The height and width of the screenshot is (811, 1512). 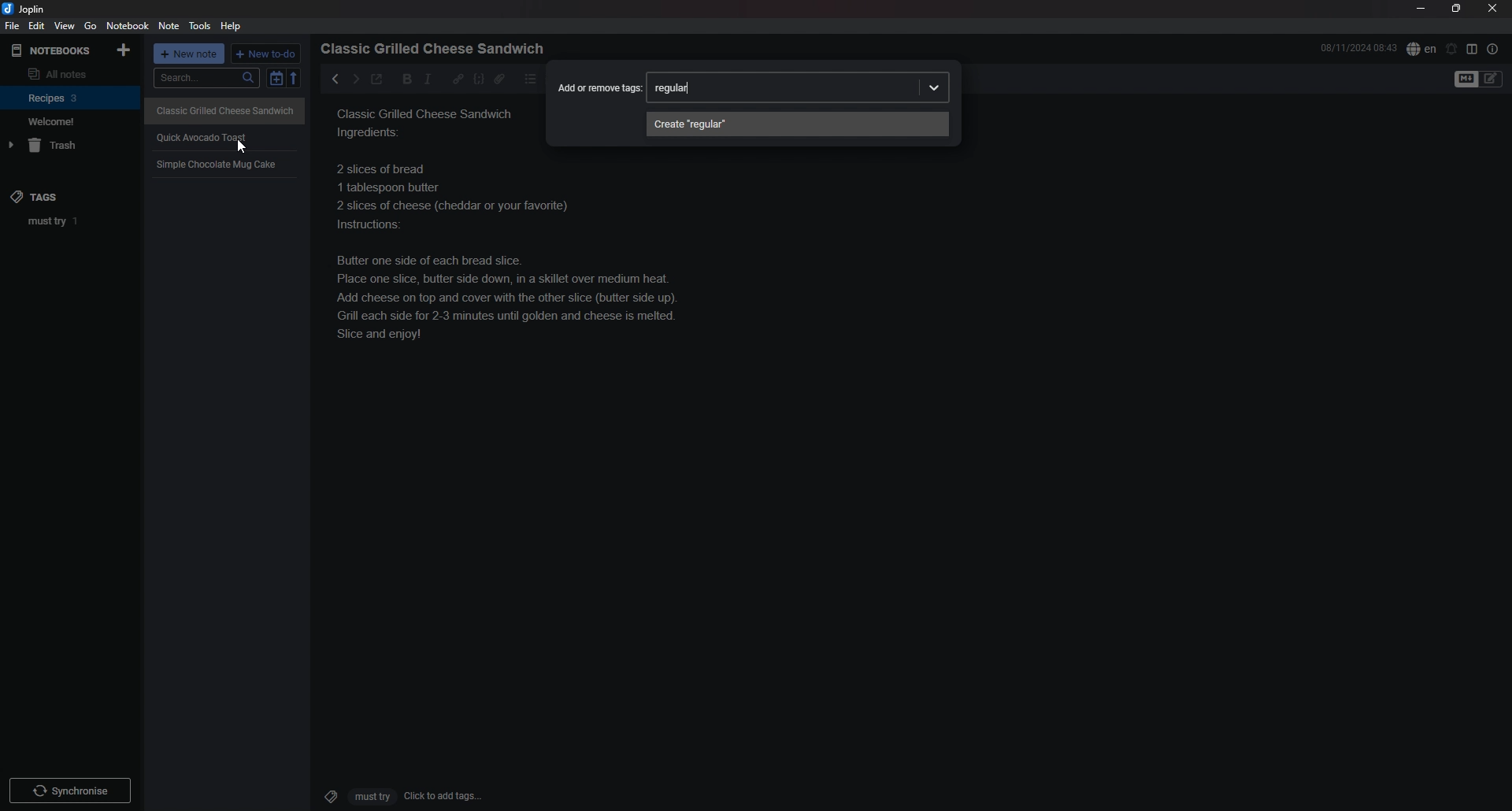 What do you see at coordinates (376, 81) in the screenshot?
I see `toggle external editor` at bounding box center [376, 81].